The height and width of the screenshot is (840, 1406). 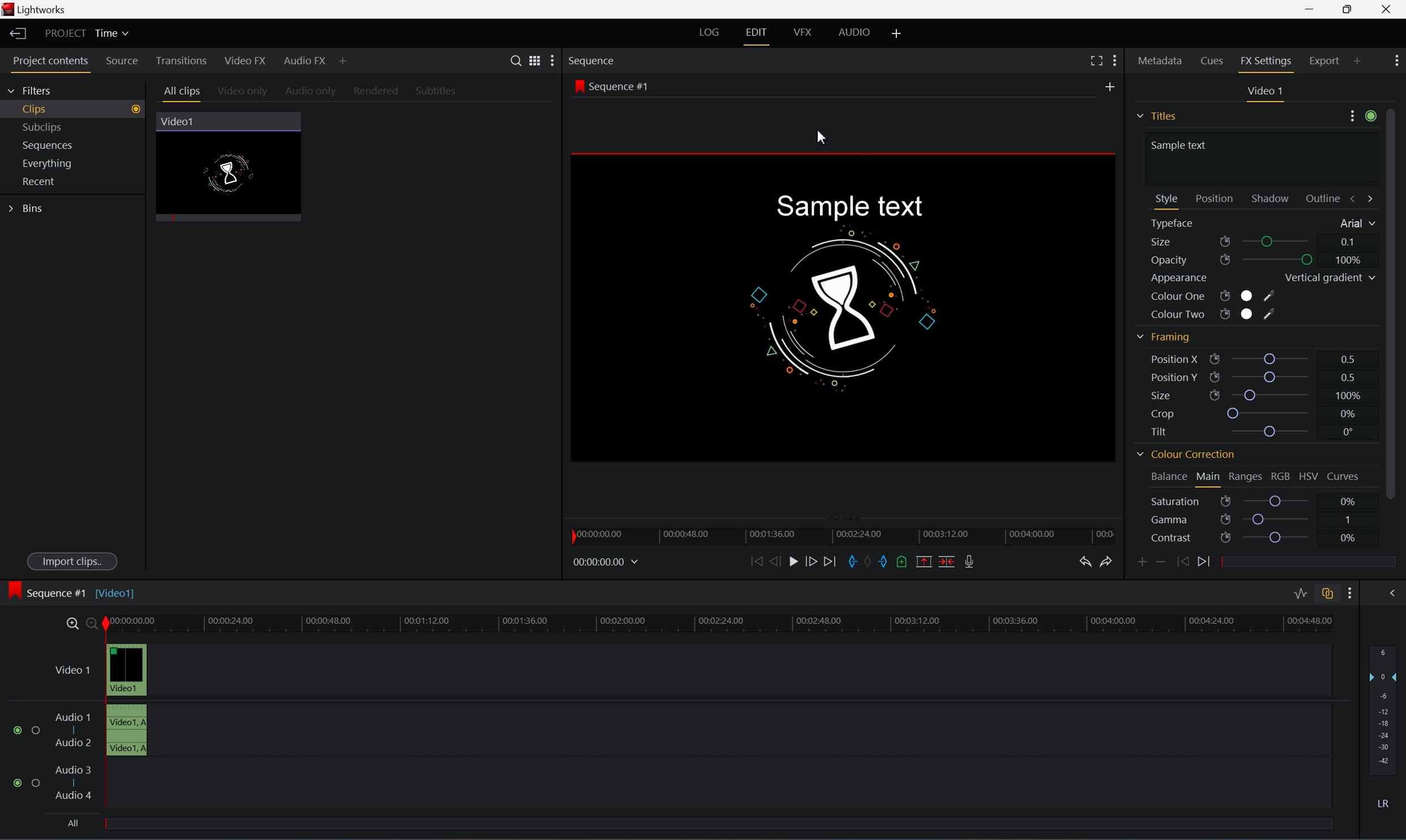 I want to click on clear all marks, so click(x=871, y=561).